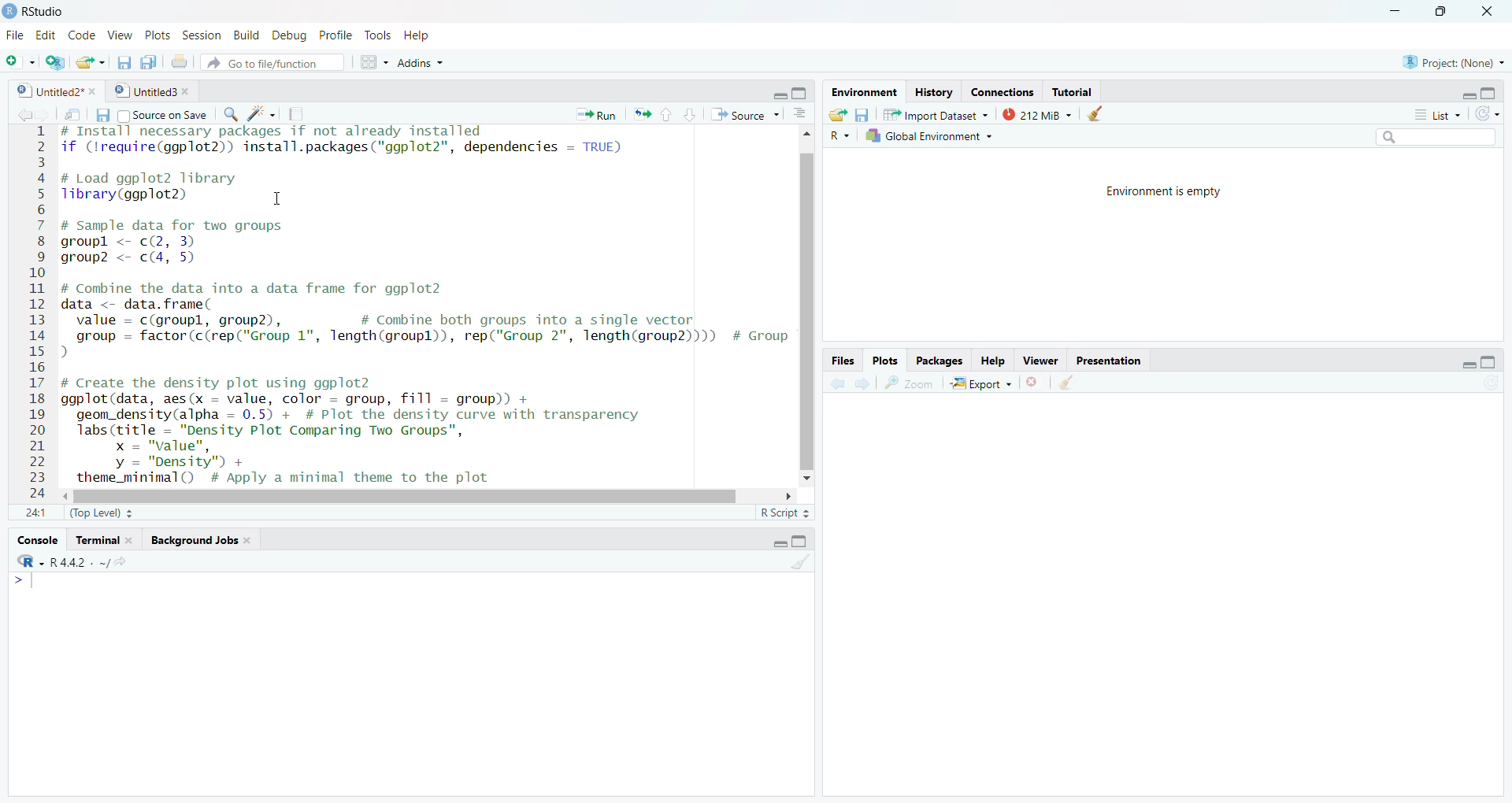  What do you see at coordinates (391, 498) in the screenshot?
I see `SLIDEBAR` at bounding box center [391, 498].